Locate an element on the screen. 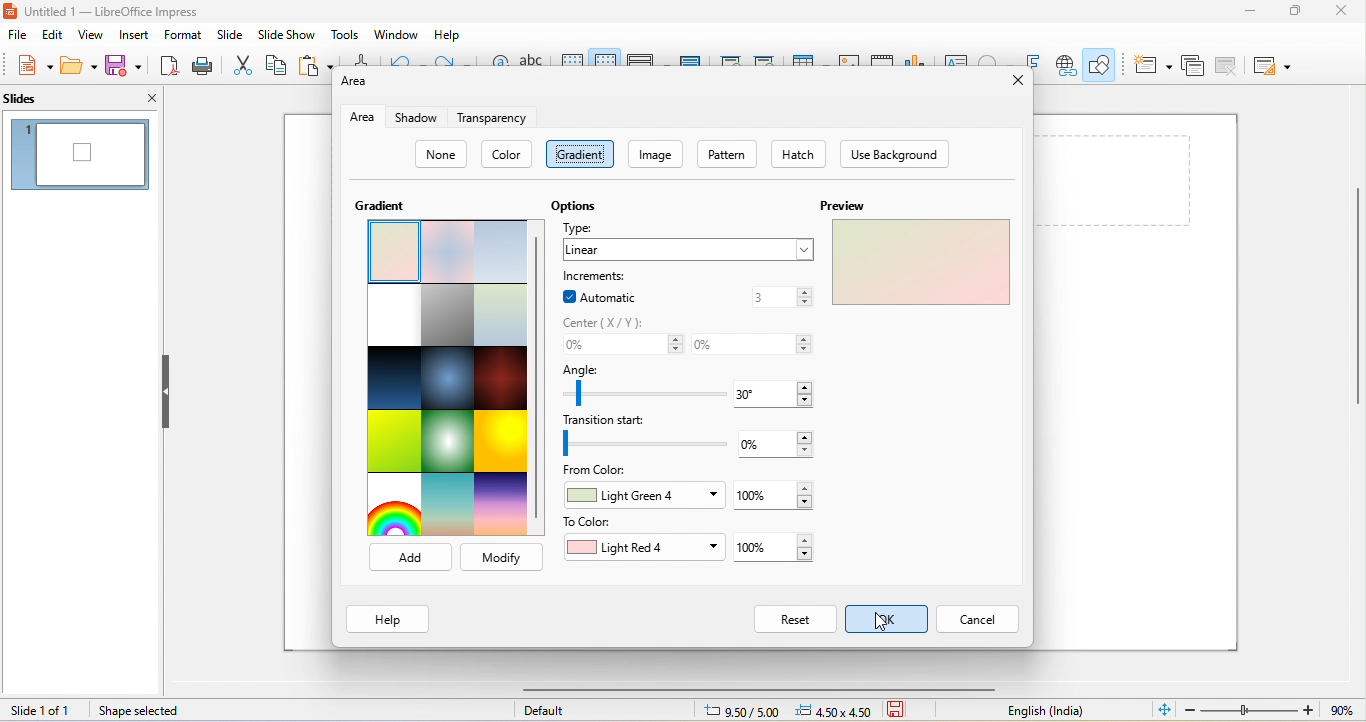 Image resolution: width=1366 pixels, height=722 pixels. layout is located at coordinates (1273, 67).